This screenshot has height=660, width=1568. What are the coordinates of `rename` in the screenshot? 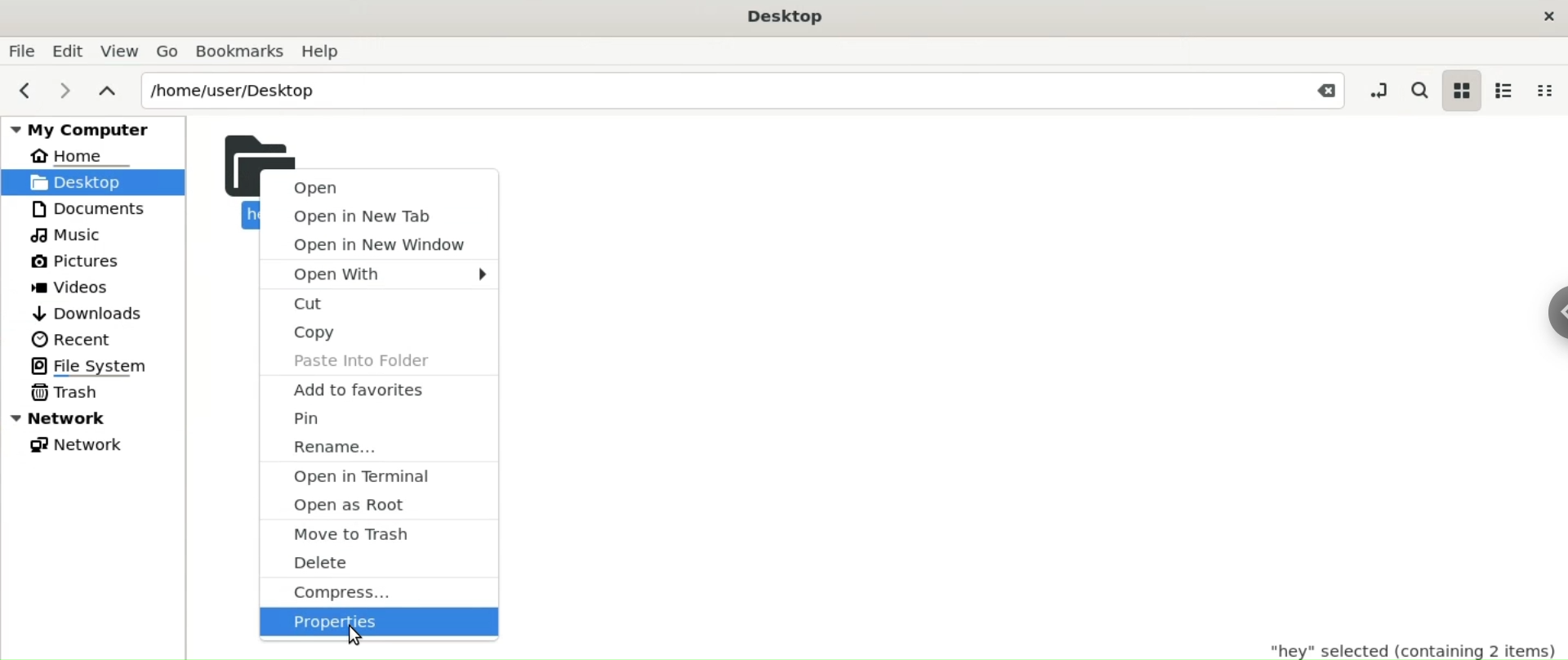 It's located at (379, 447).